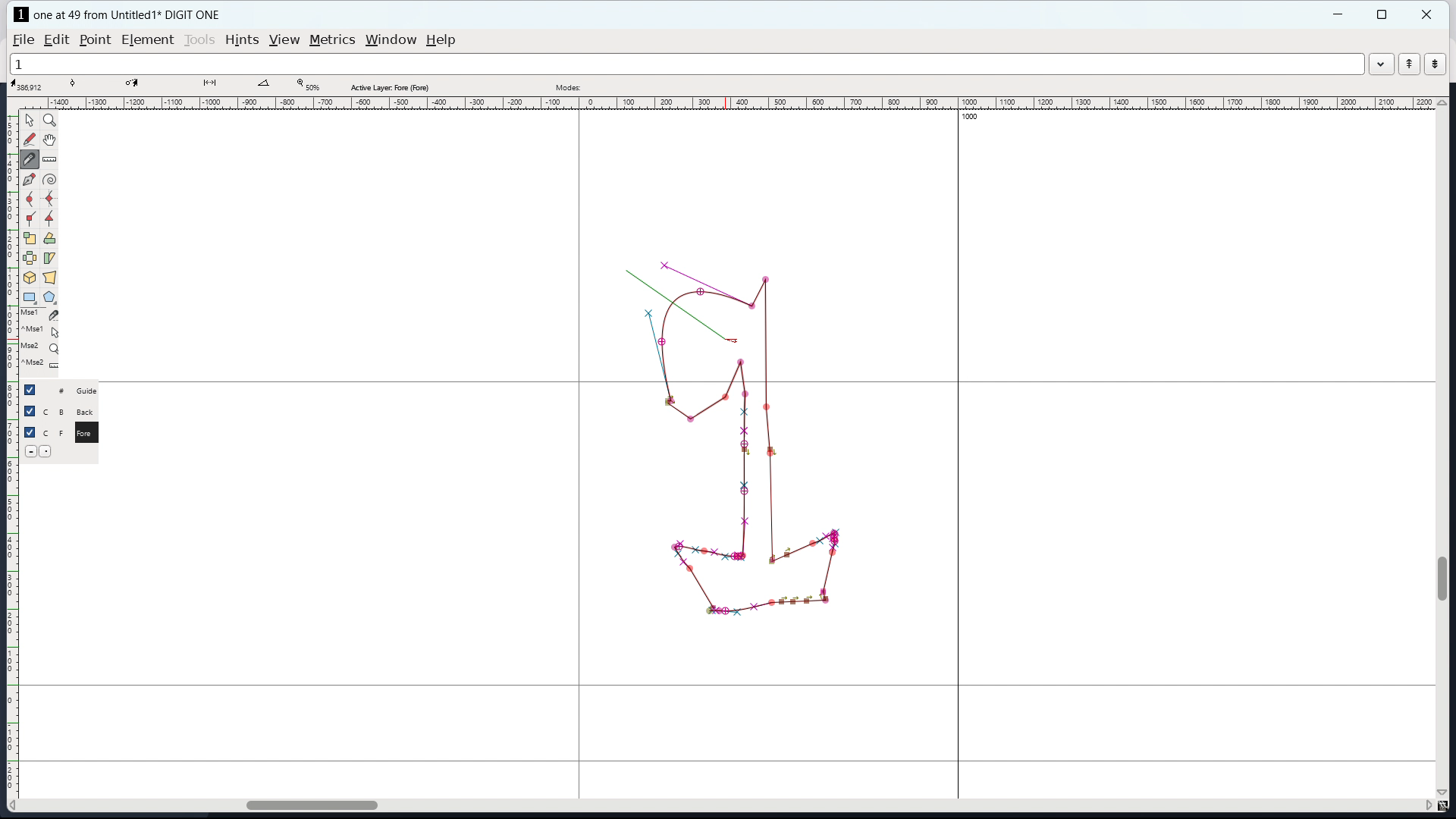 The image size is (1456, 819). Describe the element at coordinates (1428, 14) in the screenshot. I see `close` at that location.